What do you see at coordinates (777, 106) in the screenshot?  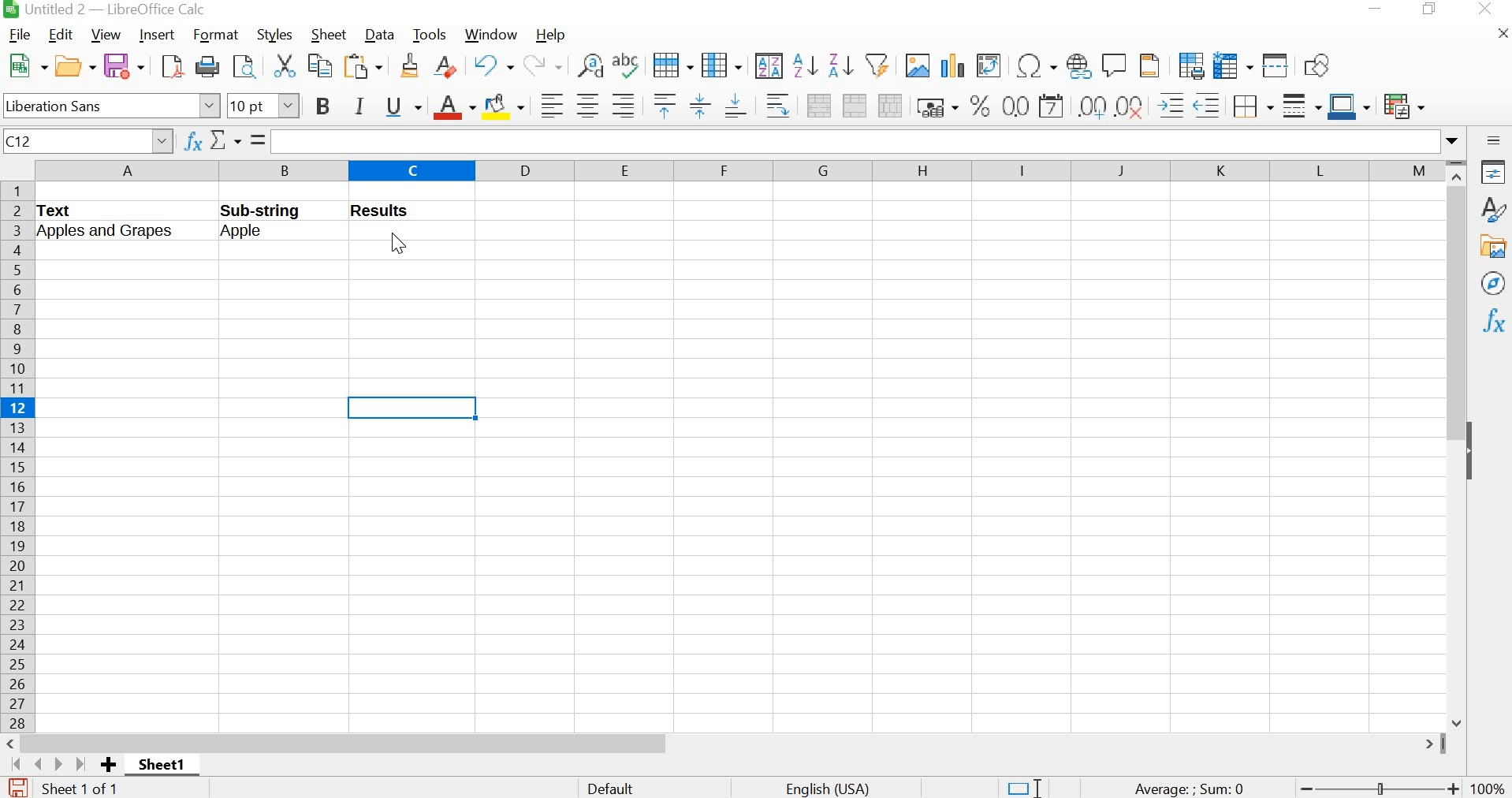 I see `wrap text` at bounding box center [777, 106].